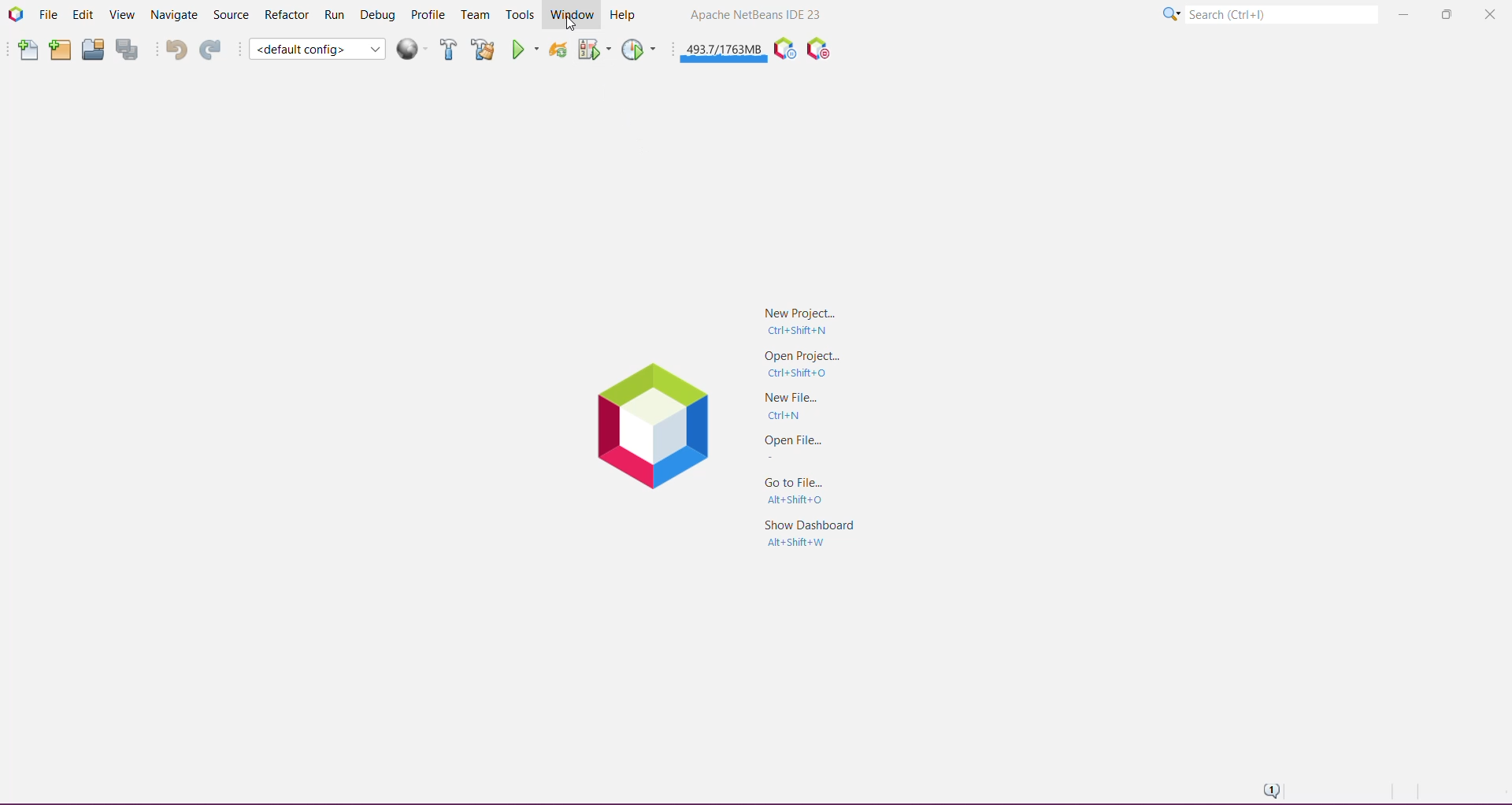 The image size is (1512, 805). What do you see at coordinates (172, 15) in the screenshot?
I see `Navigate` at bounding box center [172, 15].